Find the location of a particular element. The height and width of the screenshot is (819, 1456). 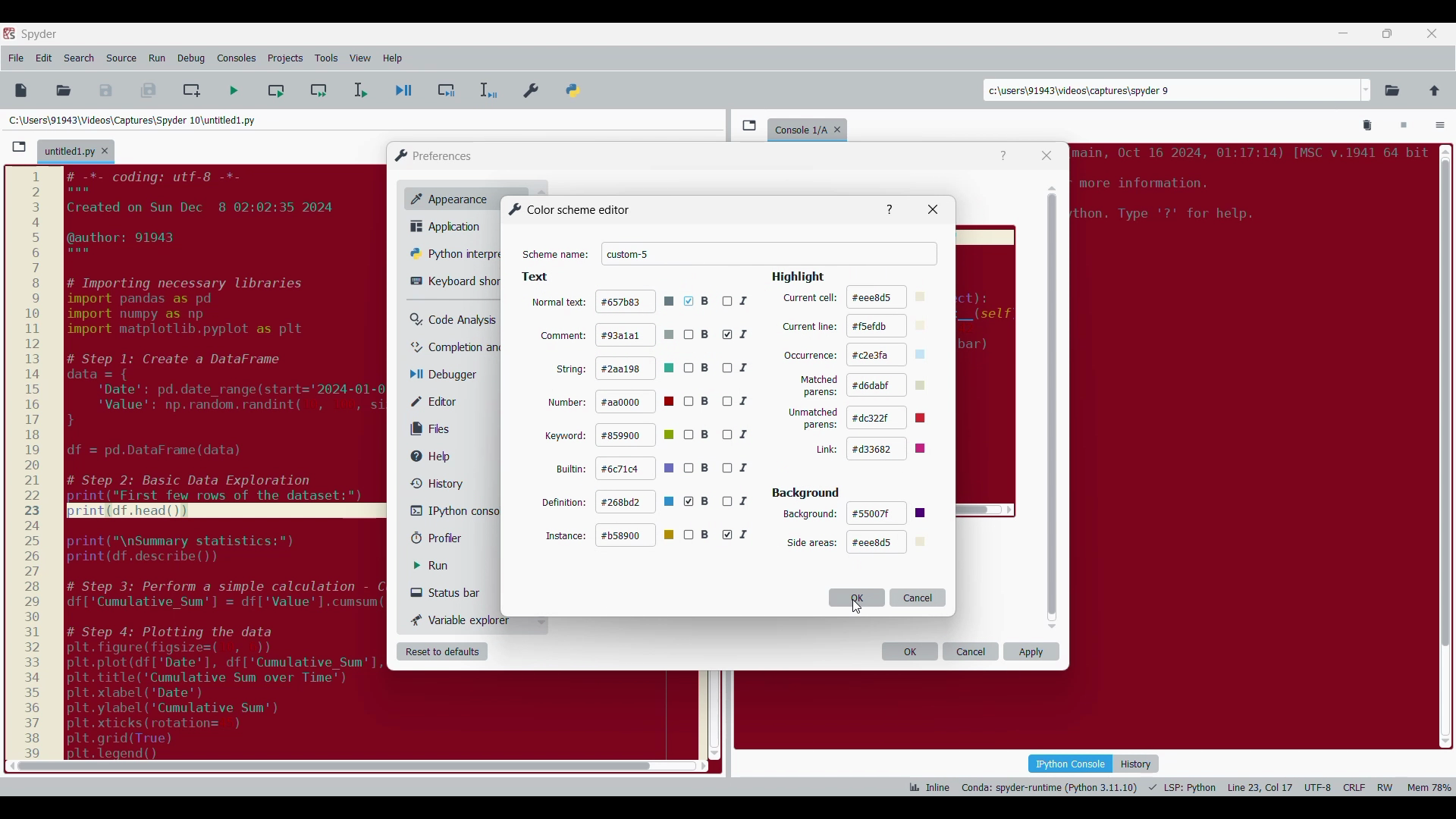

#b58900 is located at coordinates (637, 535).